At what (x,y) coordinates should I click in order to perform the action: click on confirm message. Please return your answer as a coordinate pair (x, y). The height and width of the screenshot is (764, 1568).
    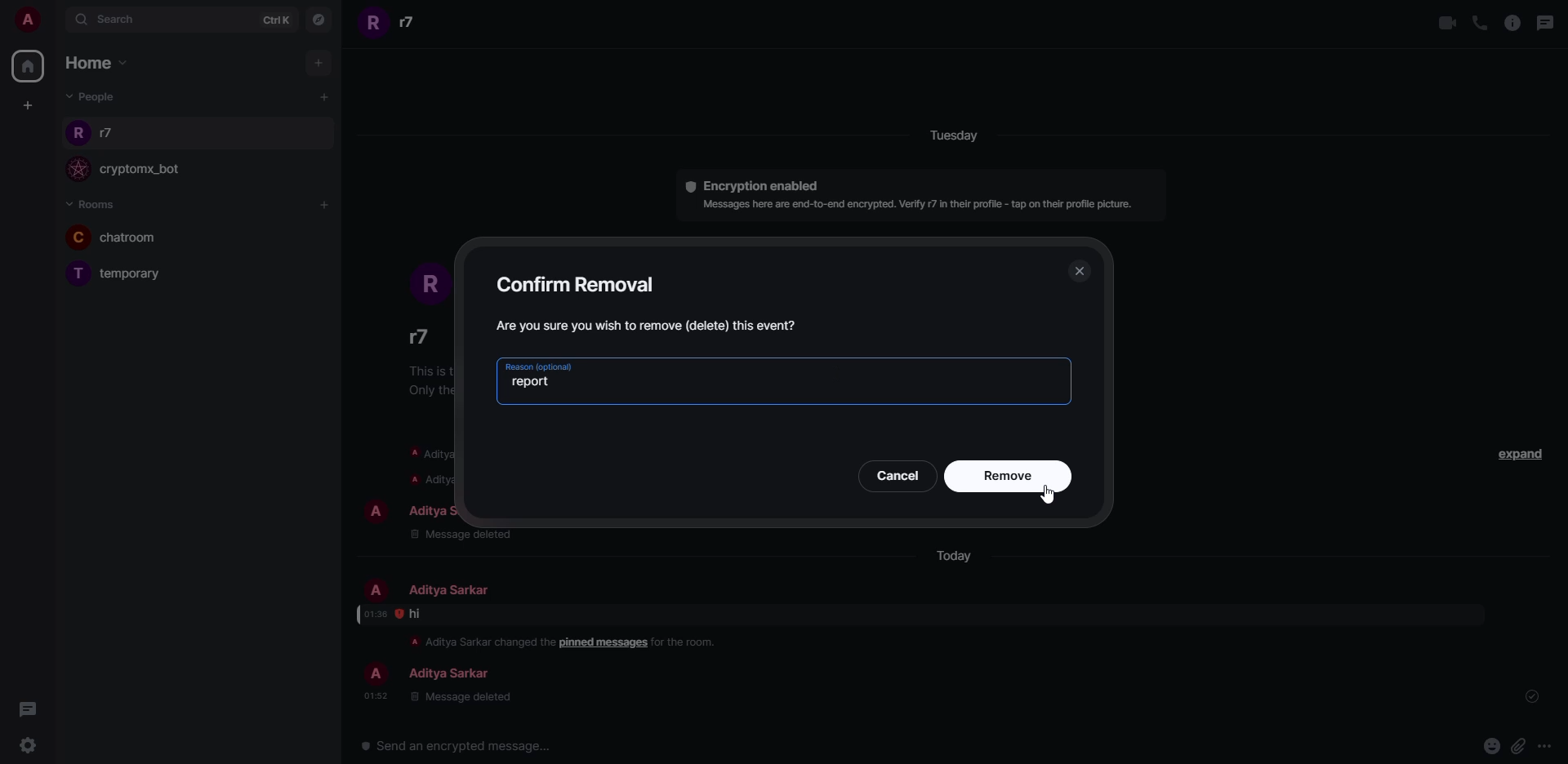
    Looking at the image, I should click on (651, 325).